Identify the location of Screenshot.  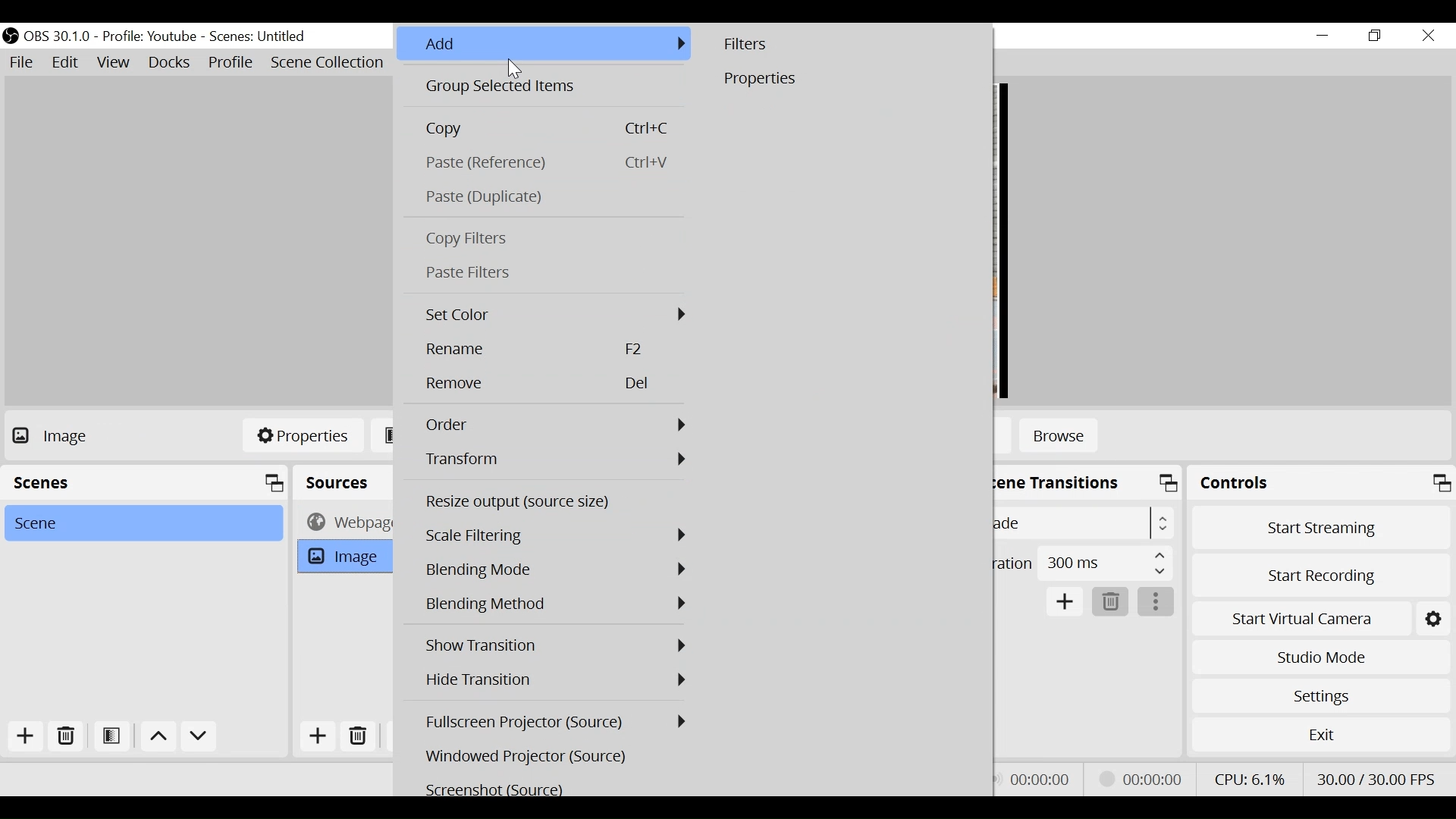
(554, 788).